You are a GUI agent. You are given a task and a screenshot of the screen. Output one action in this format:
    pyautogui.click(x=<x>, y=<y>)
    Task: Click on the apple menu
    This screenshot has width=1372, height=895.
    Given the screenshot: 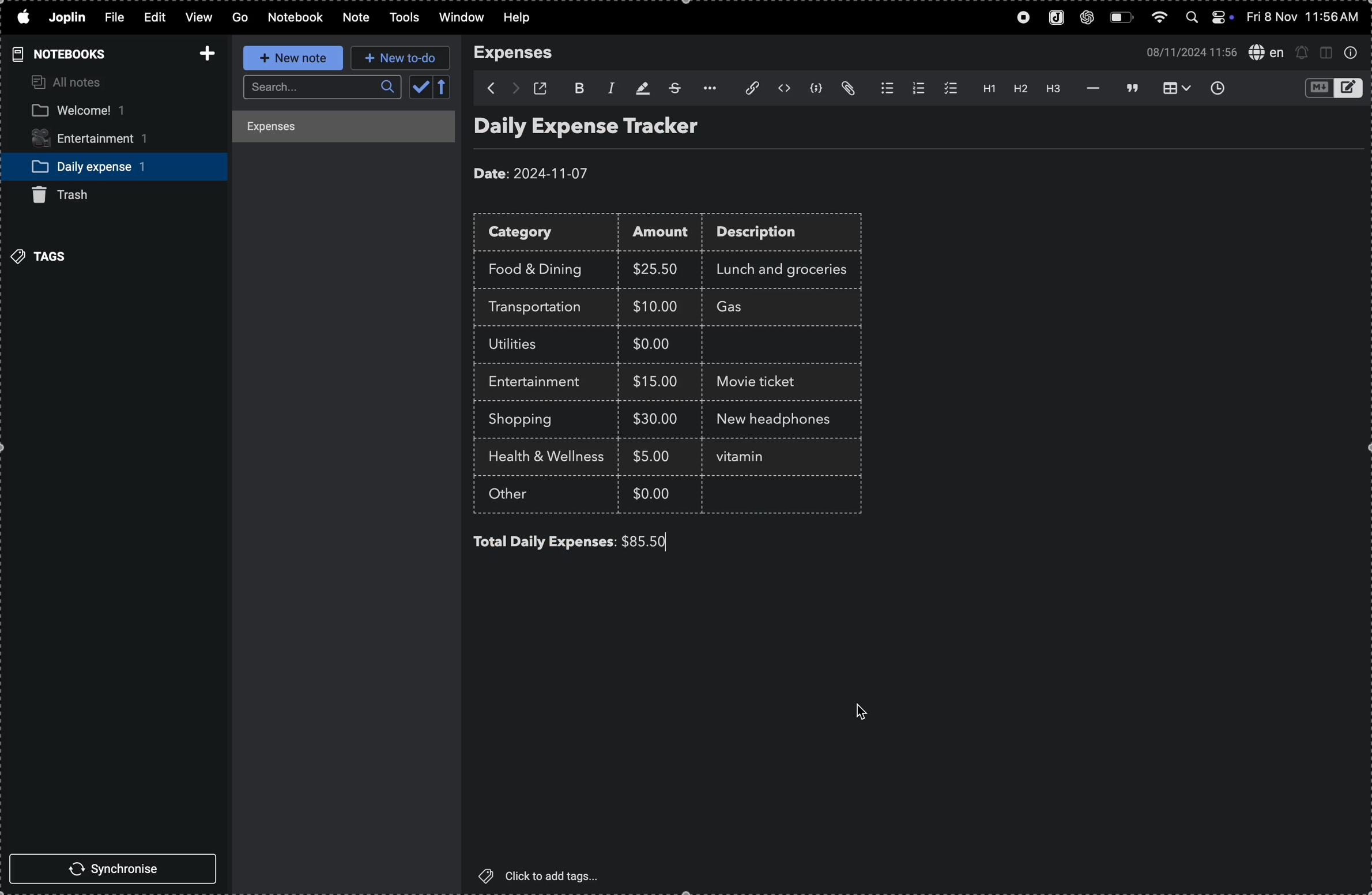 What is the action you would take?
    pyautogui.click(x=22, y=18)
    